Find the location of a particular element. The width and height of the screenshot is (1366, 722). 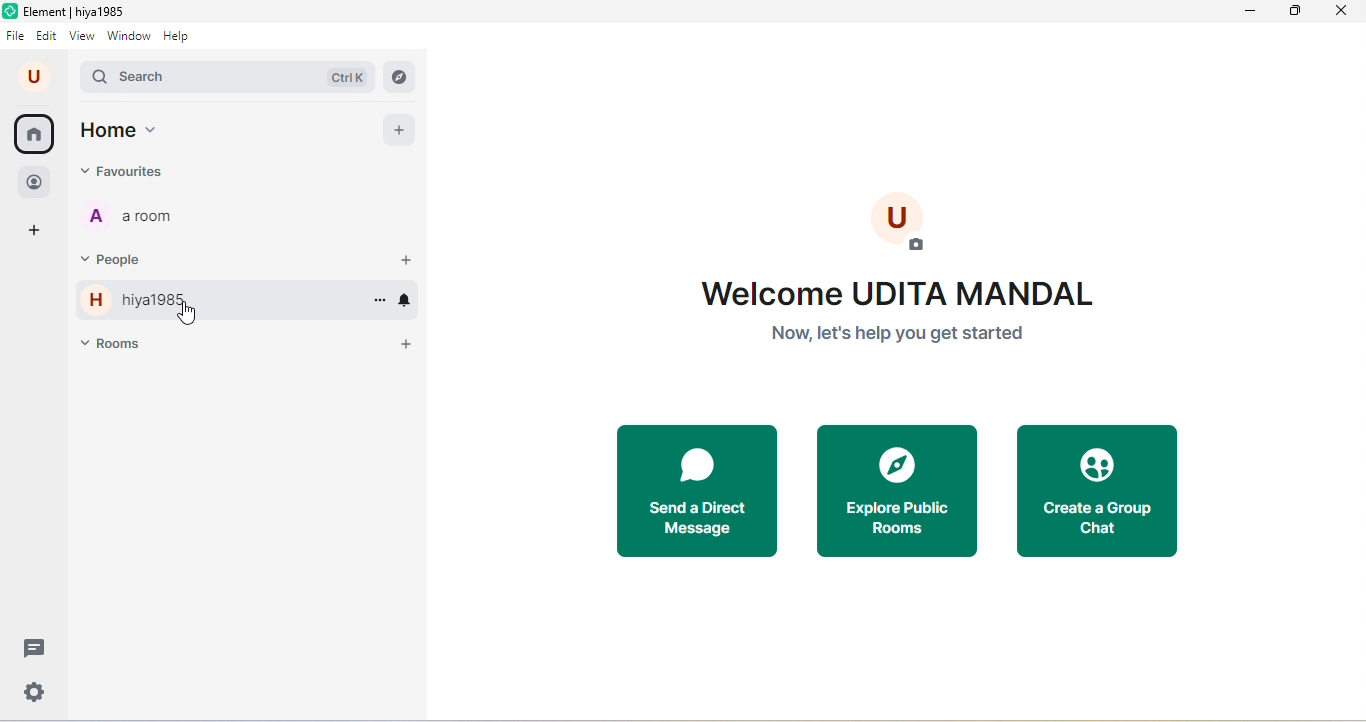

Favourites is located at coordinates (142, 172).